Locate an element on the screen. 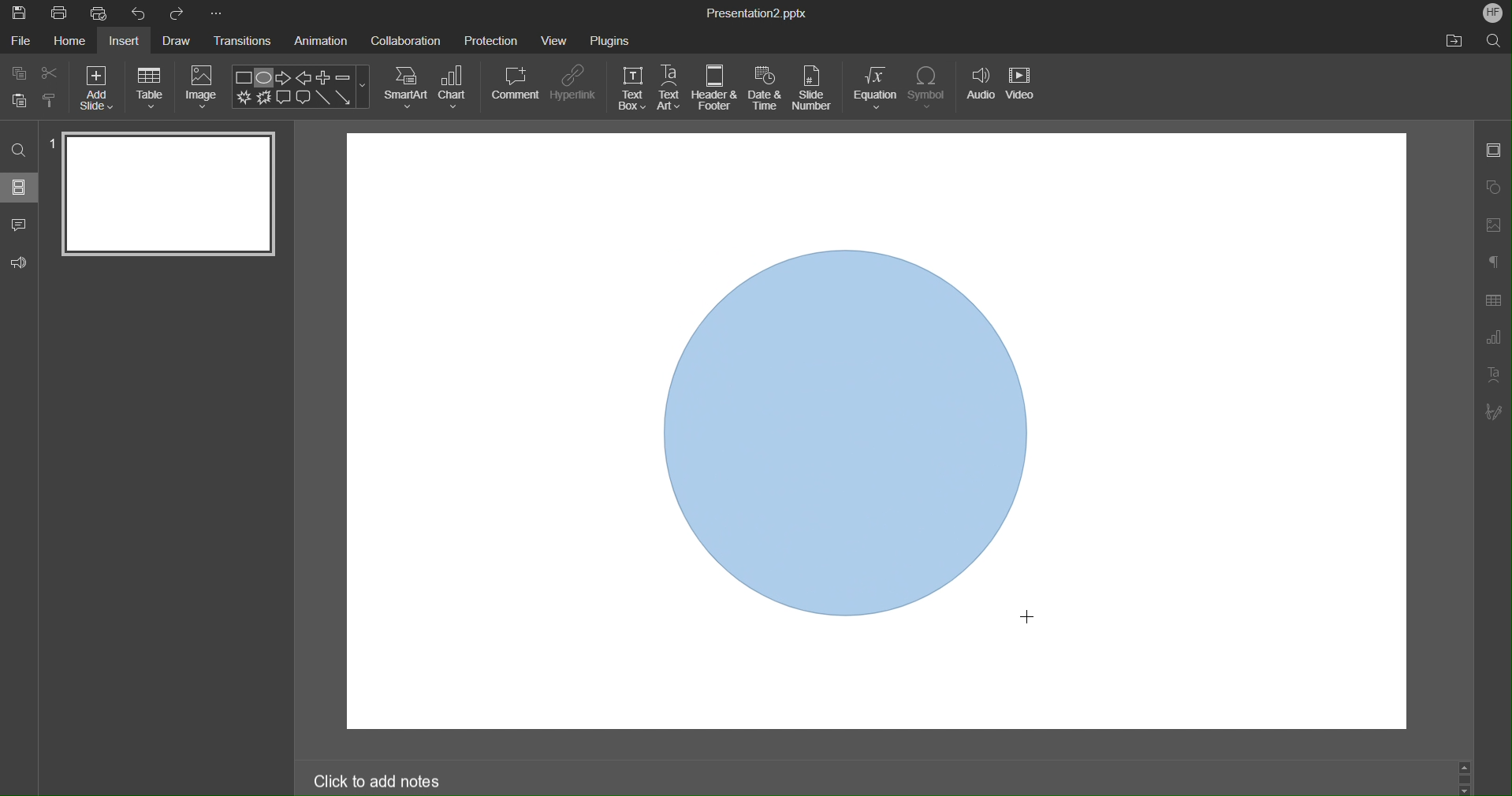 The image size is (1512, 796). Copy Style is located at coordinates (50, 99).